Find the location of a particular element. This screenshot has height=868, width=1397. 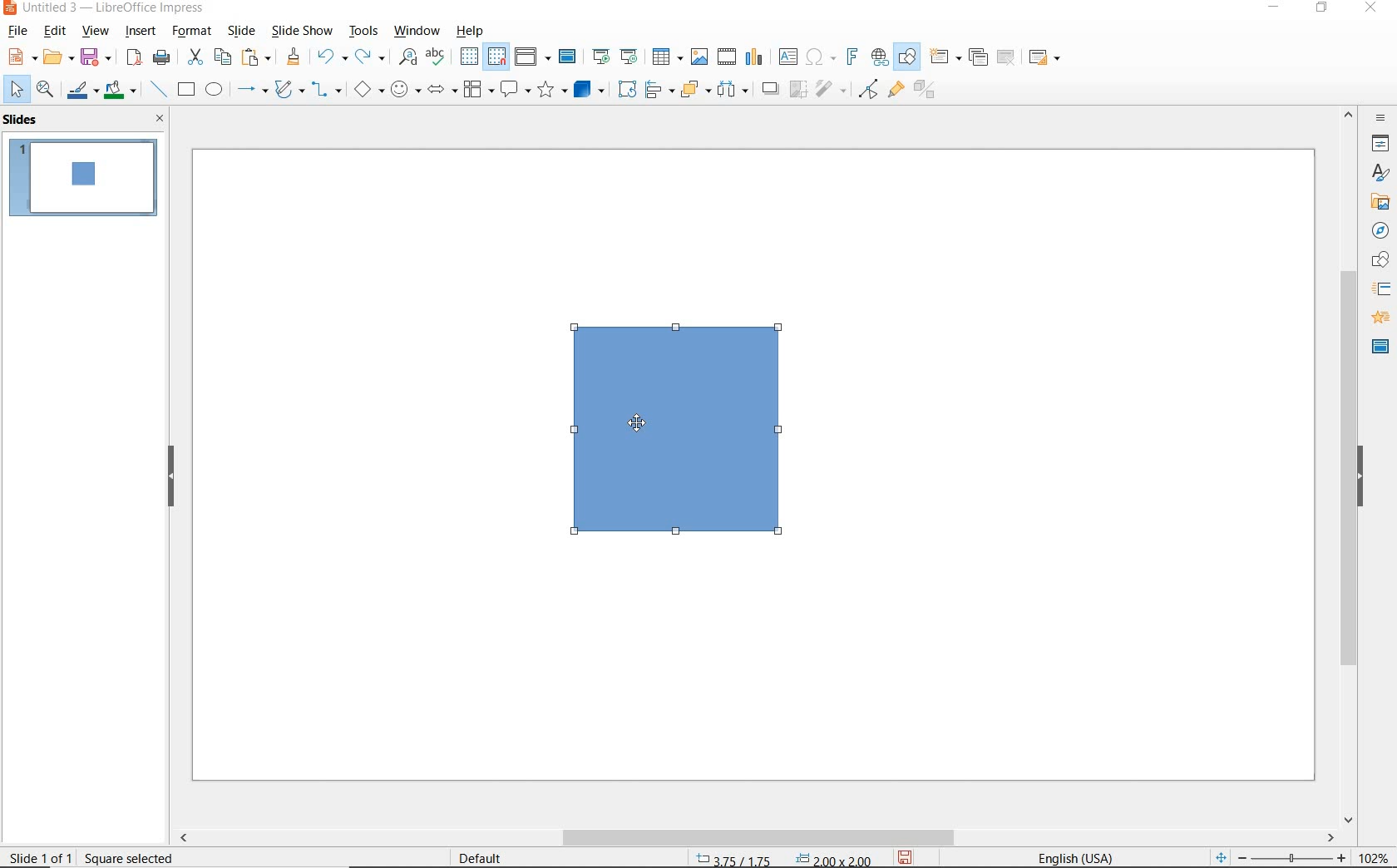

snap to grid is located at coordinates (499, 57).